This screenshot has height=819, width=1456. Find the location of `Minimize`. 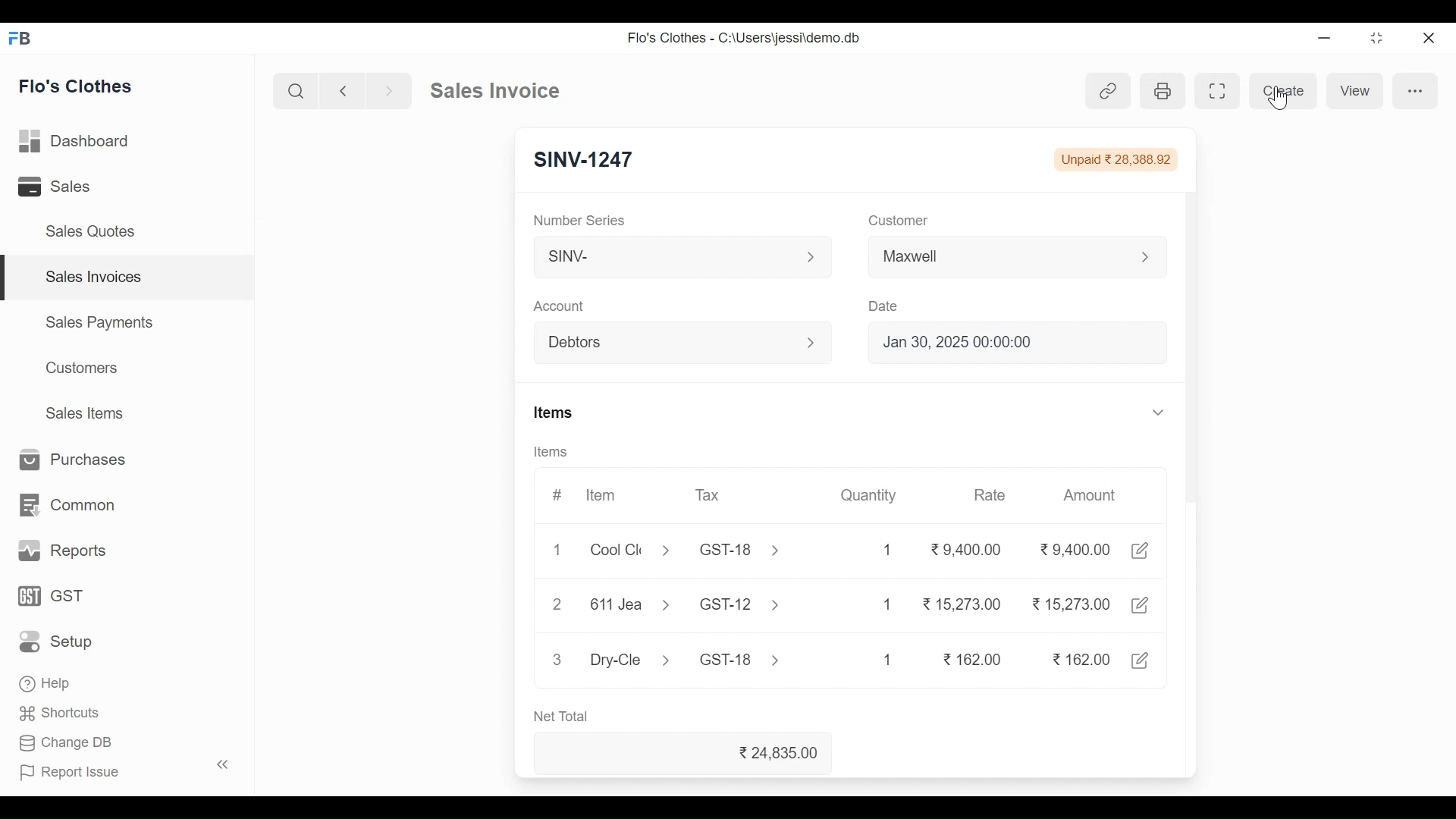

Minimize is located at coordinates (1324, 39).